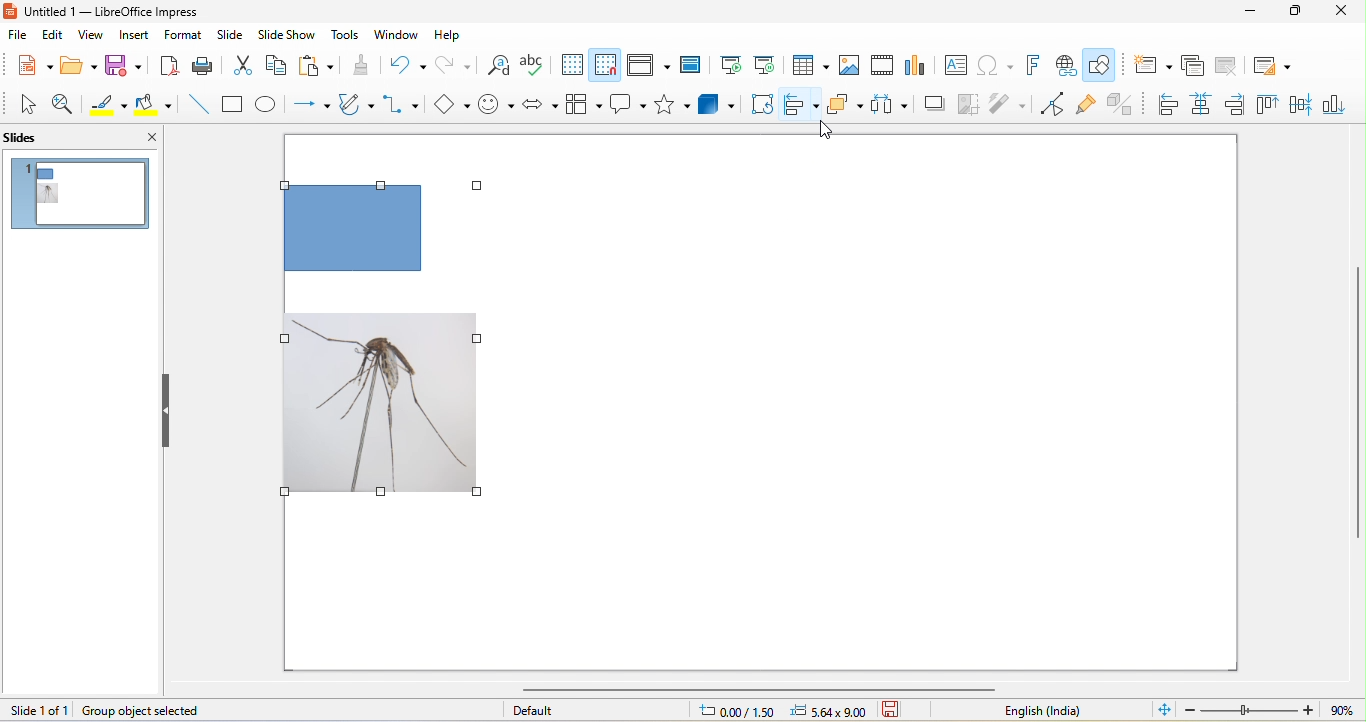 This screenshot has height=722, width=1366. What do you see at coordinates (500, 68) in the screenshot?
I see `find and replace` at bounding box center [500, 68].